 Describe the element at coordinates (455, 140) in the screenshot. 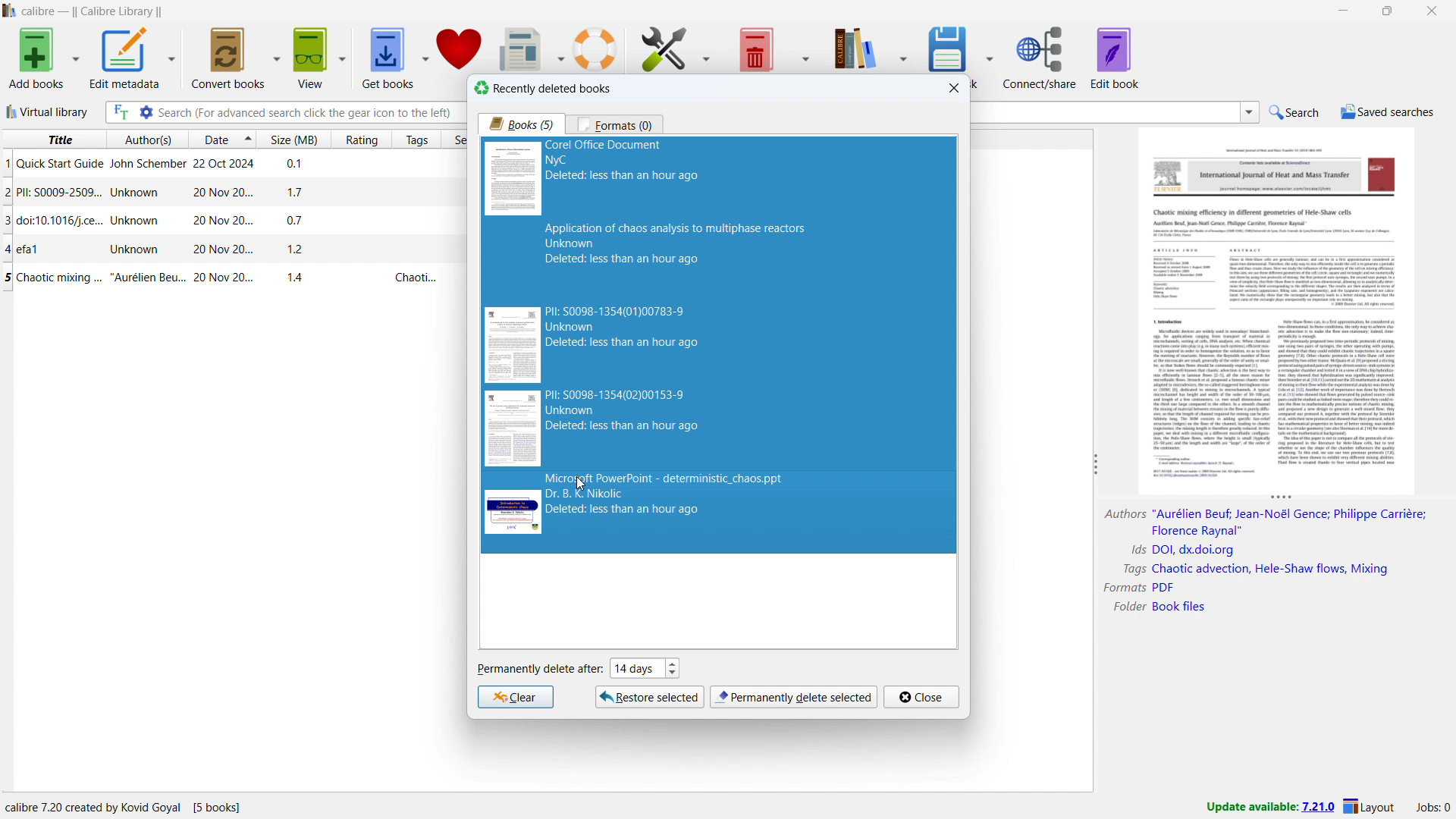

I see `sort by series` at that location.